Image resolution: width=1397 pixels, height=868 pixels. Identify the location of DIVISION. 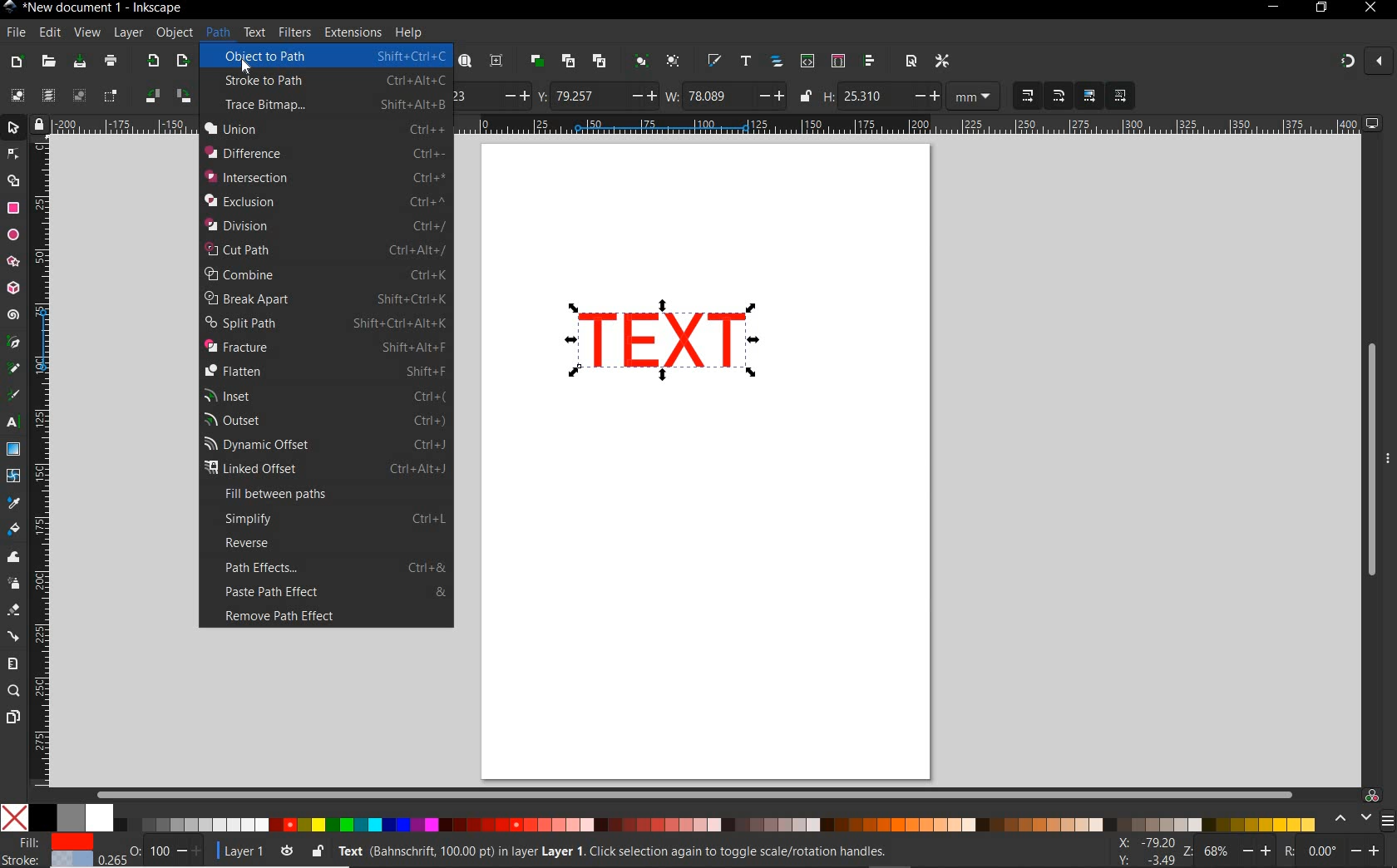
(323, 225).